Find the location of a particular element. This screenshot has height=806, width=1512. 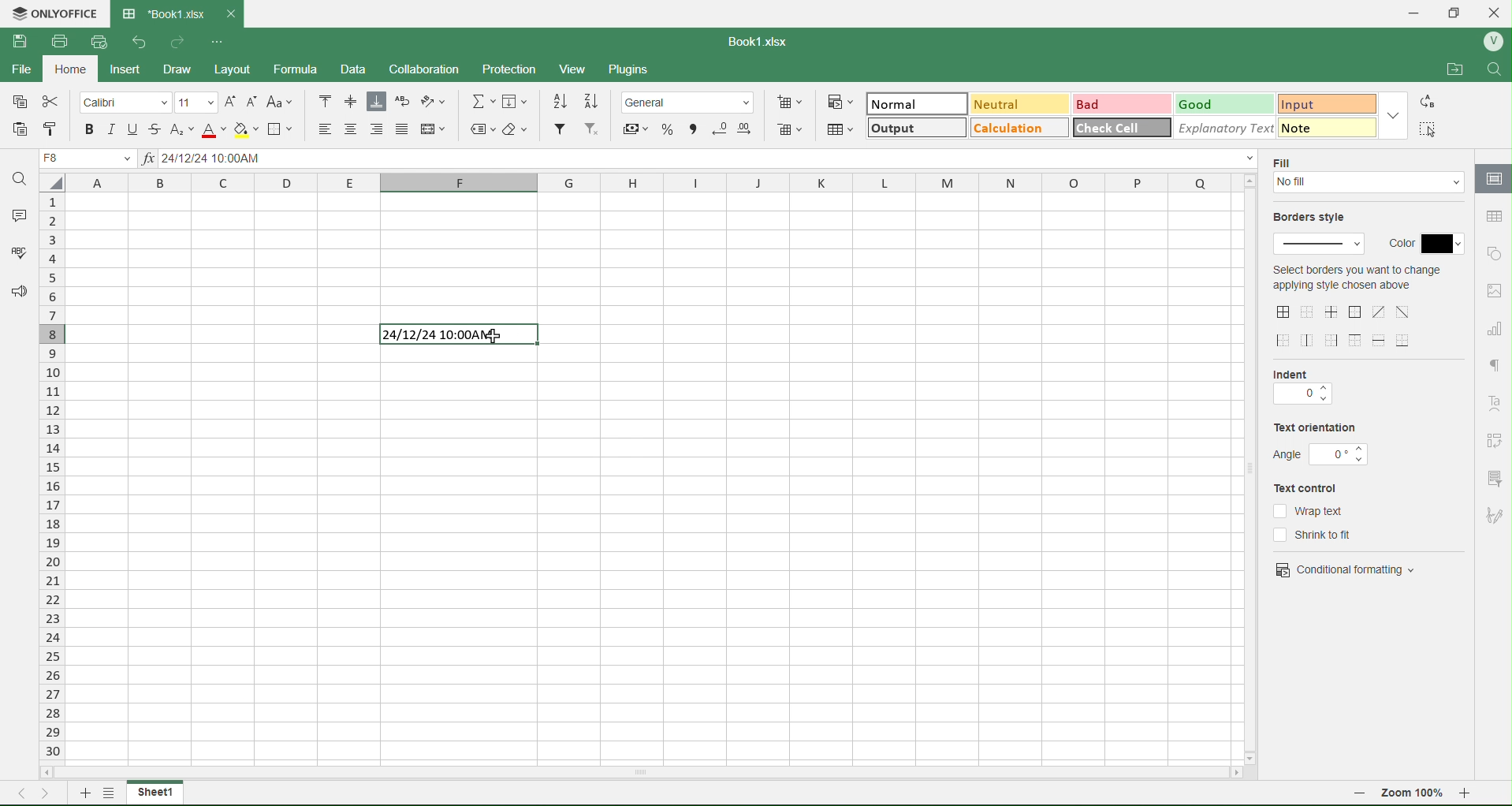

Comments is located at coordinates (17, 213).